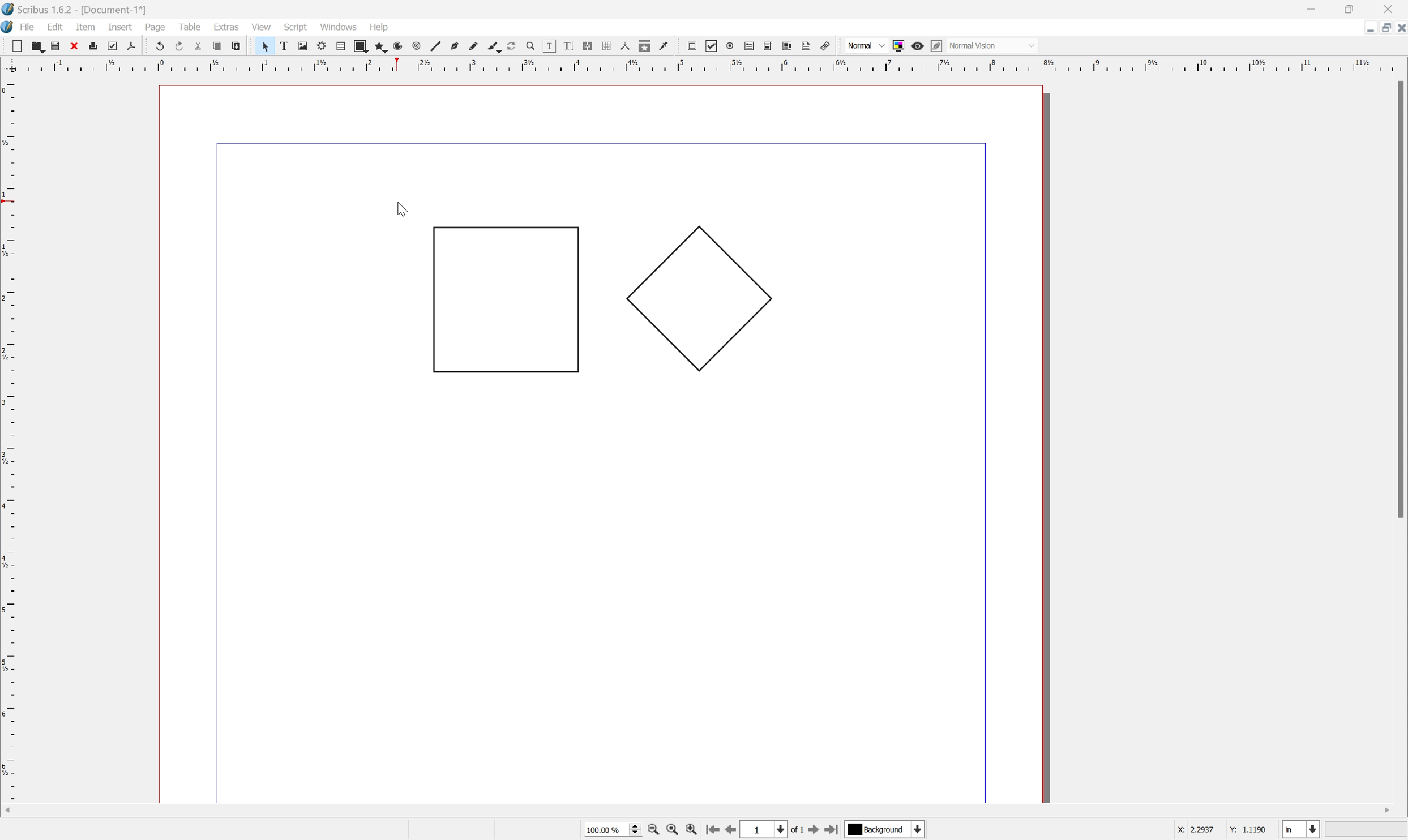  What do you see at coordinates (414, 47) in the screenshot?
I see `spiral` at bounding box center [414, 47].